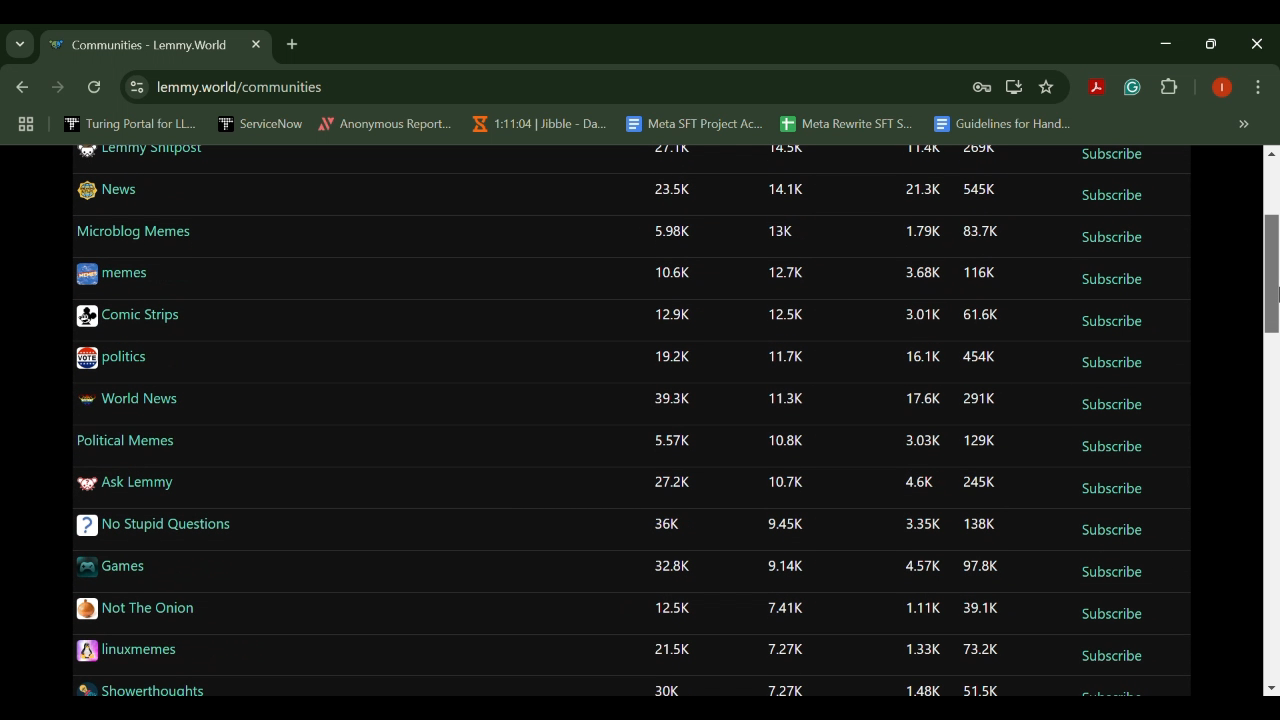  What do you see at coordinates (1112, 321) in the screenshot?
I see `Subscribe` at bounding box center [1112, 321].